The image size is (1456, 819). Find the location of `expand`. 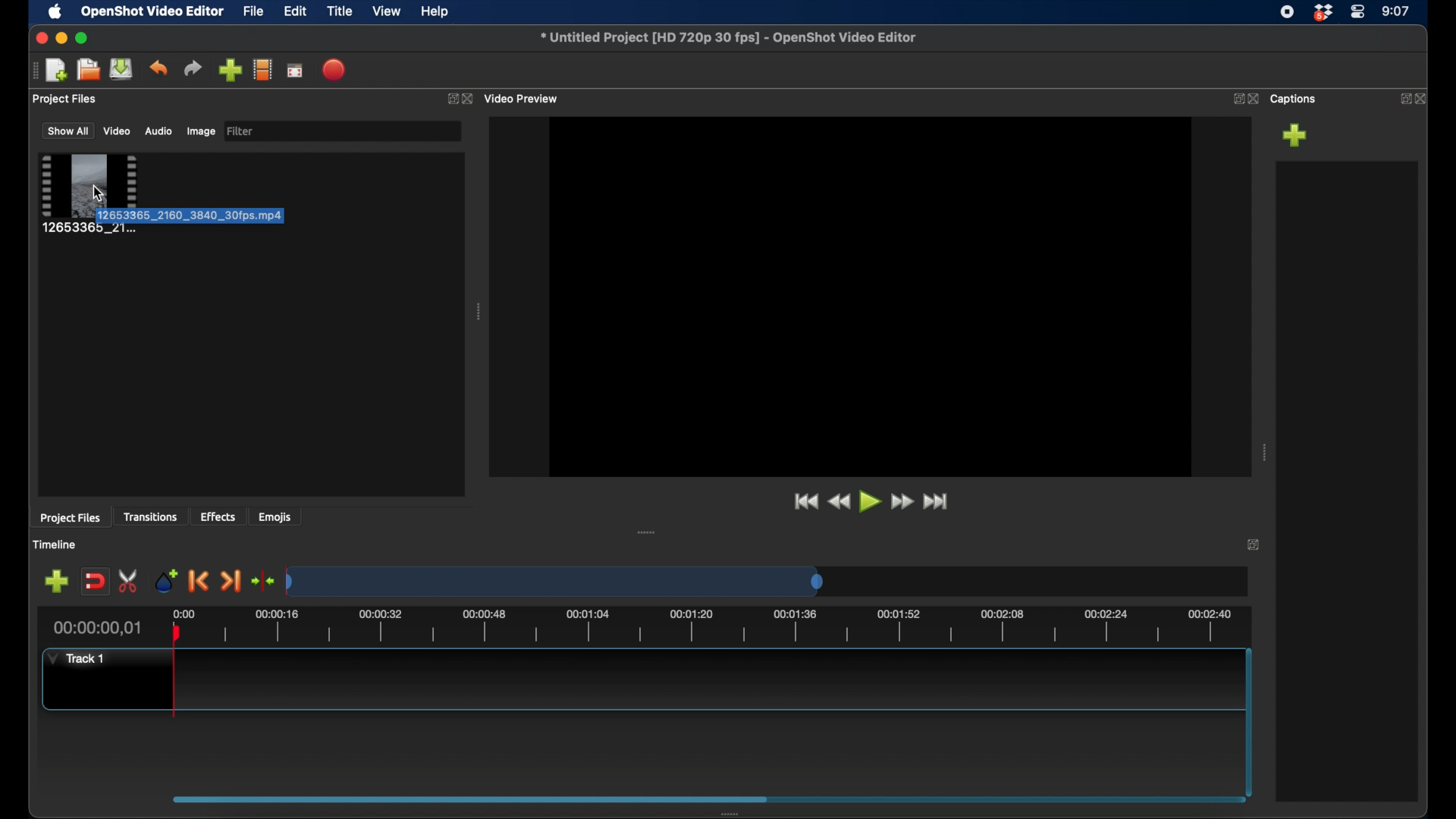

expand is located at coordinates (1401, 98).